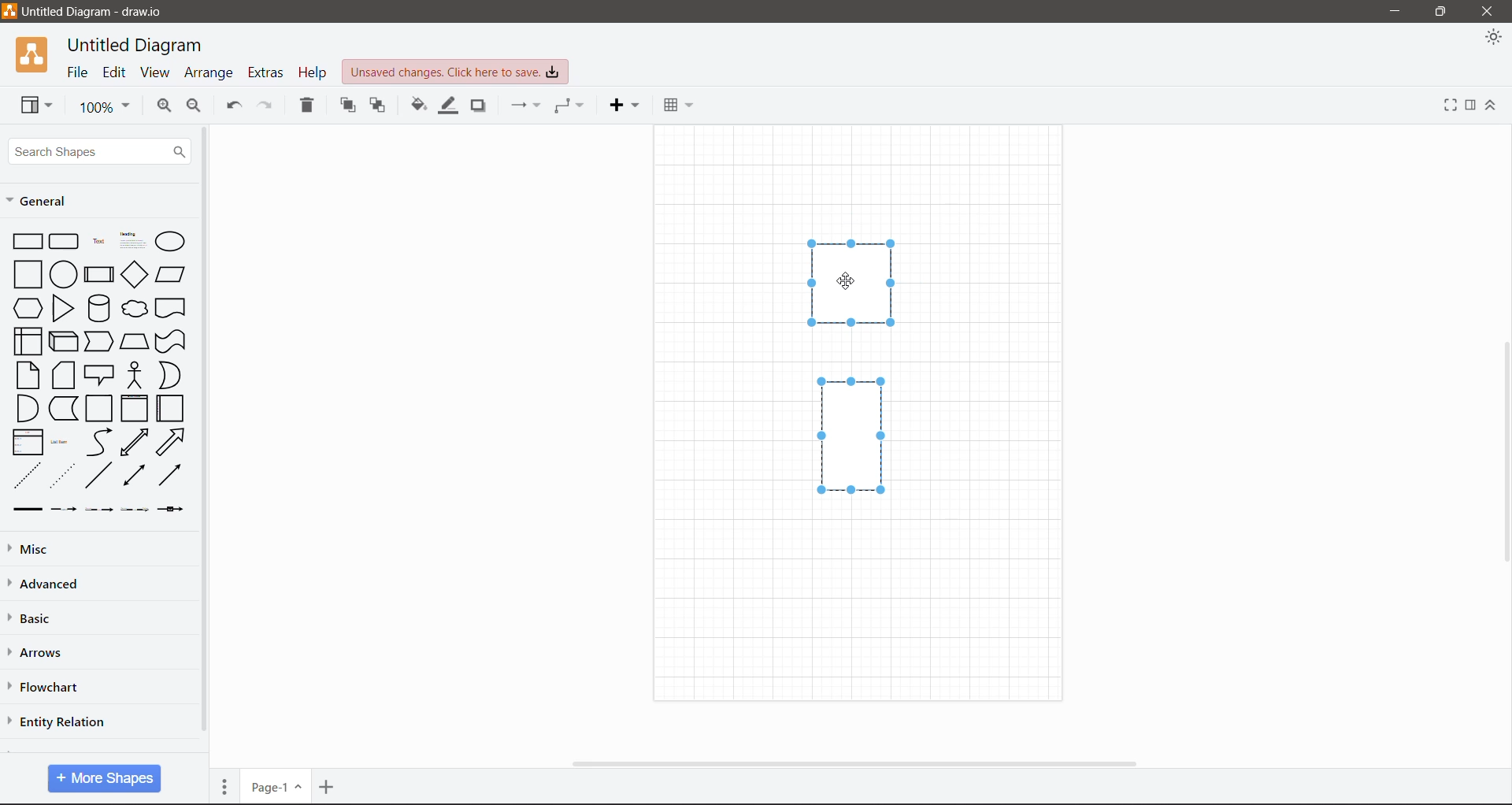  What do you see at coordinates (276, 786) in the screenshot?
I see `Page Number` at bounding box center [276, 786].